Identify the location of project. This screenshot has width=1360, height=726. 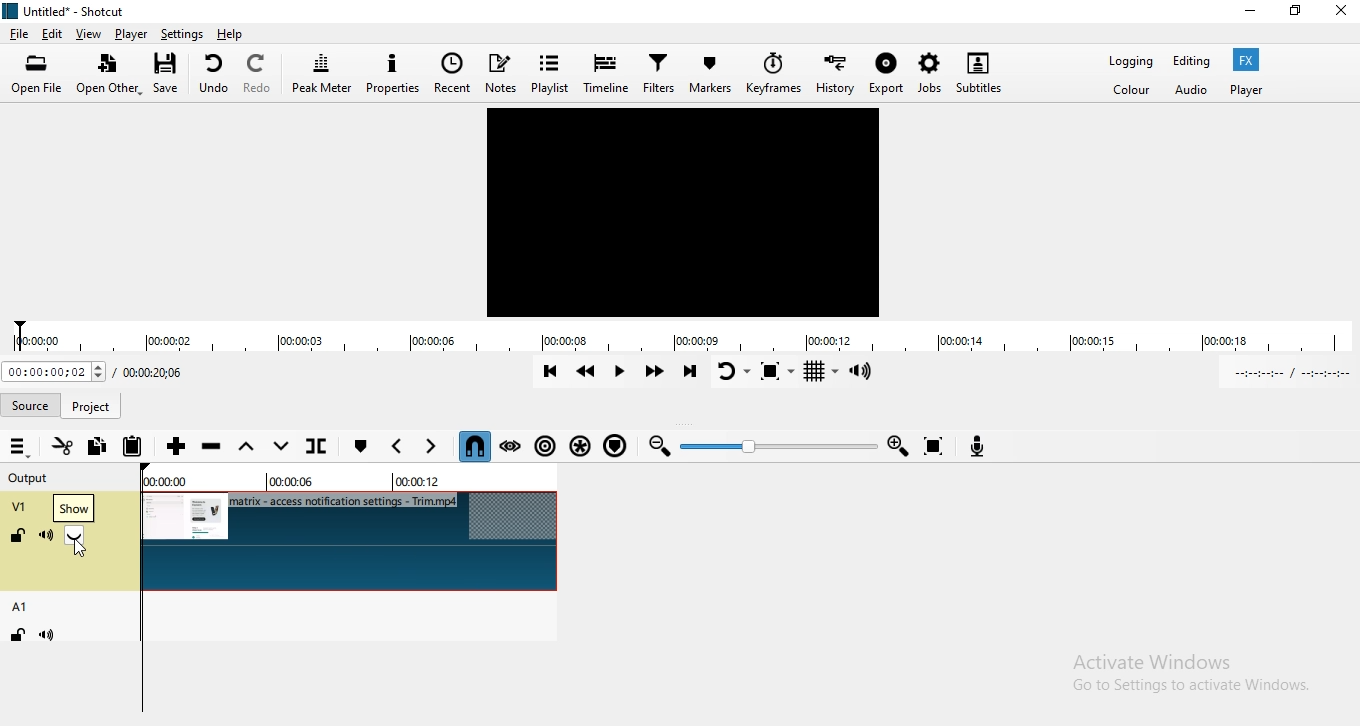
(96, 406).